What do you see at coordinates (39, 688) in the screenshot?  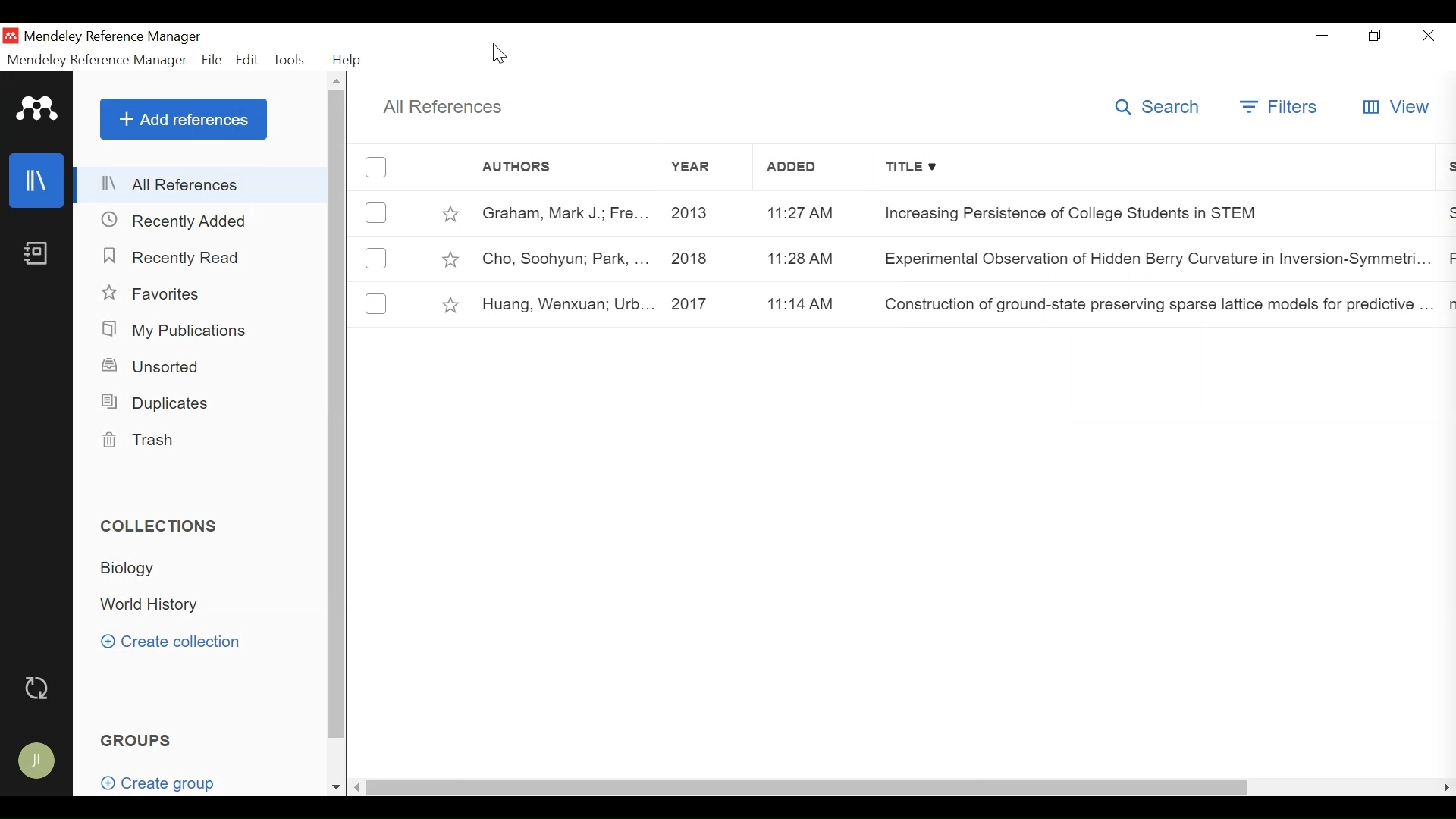 I see `Sync` at bounding box center [39, 688].